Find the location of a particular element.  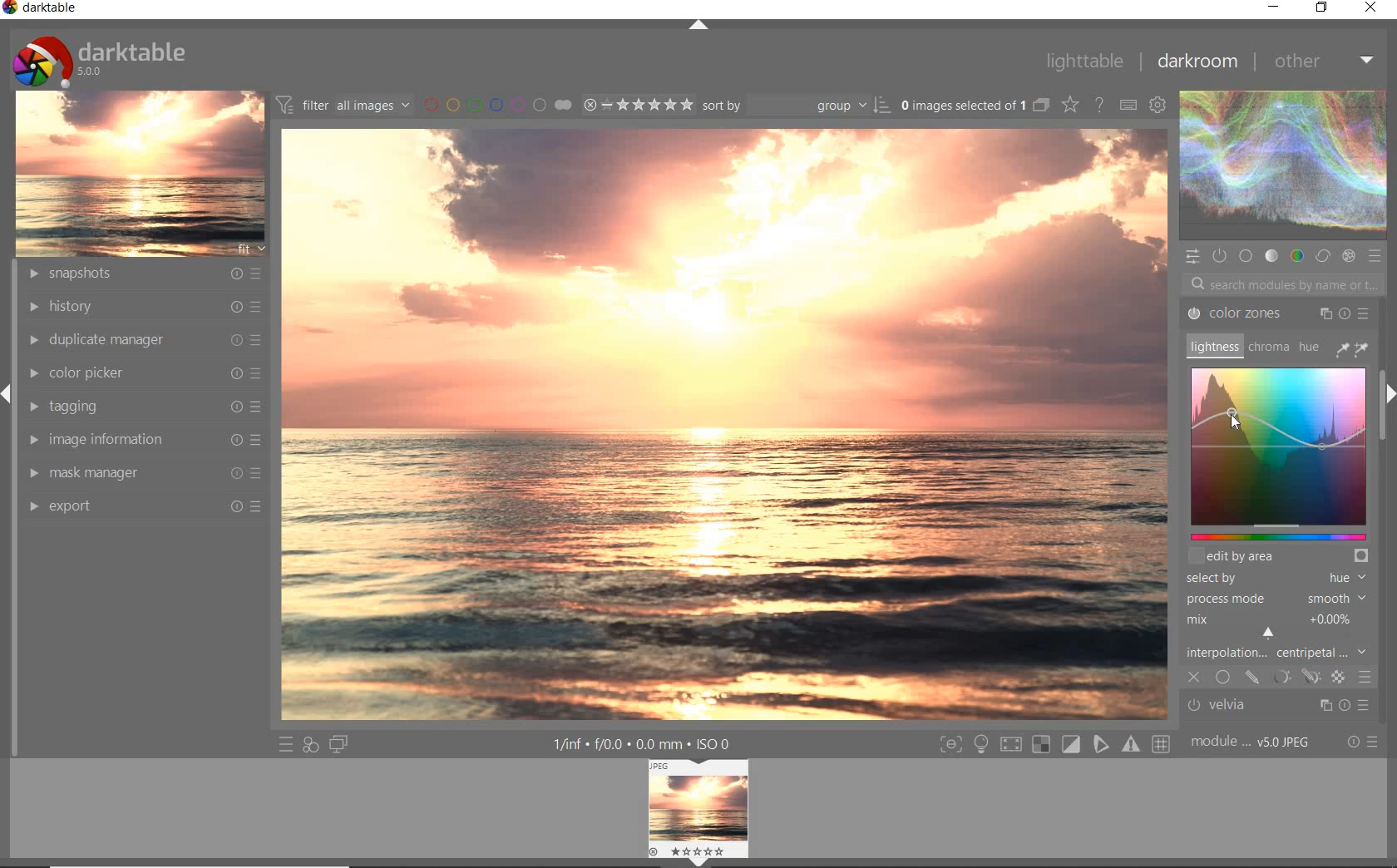

minimize is located at coordinates (1276, 6).